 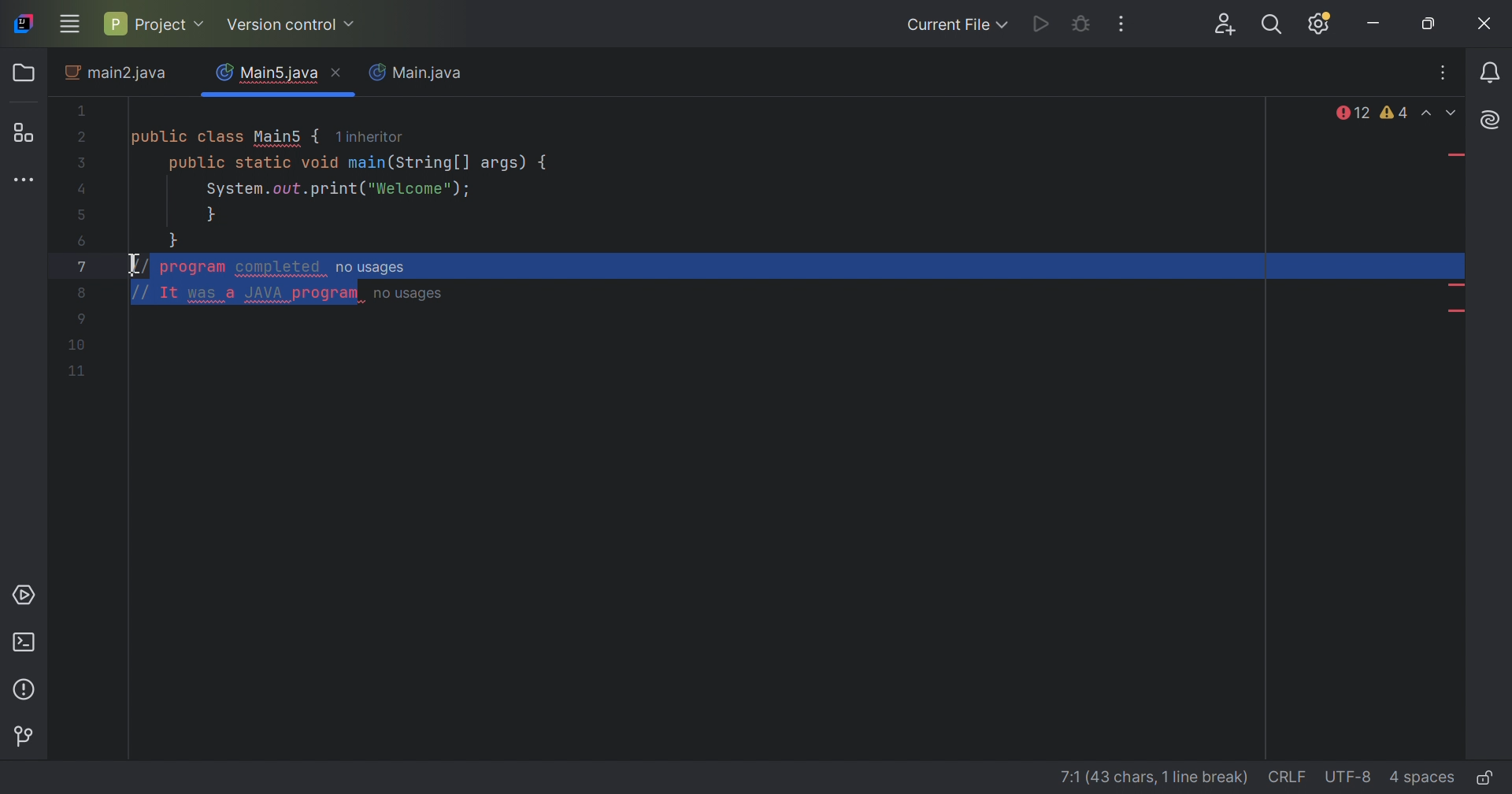 What do you see at coordinates (23, 181) in the screenshot?
I see `More tool windows` at bounding box center [23, 181].